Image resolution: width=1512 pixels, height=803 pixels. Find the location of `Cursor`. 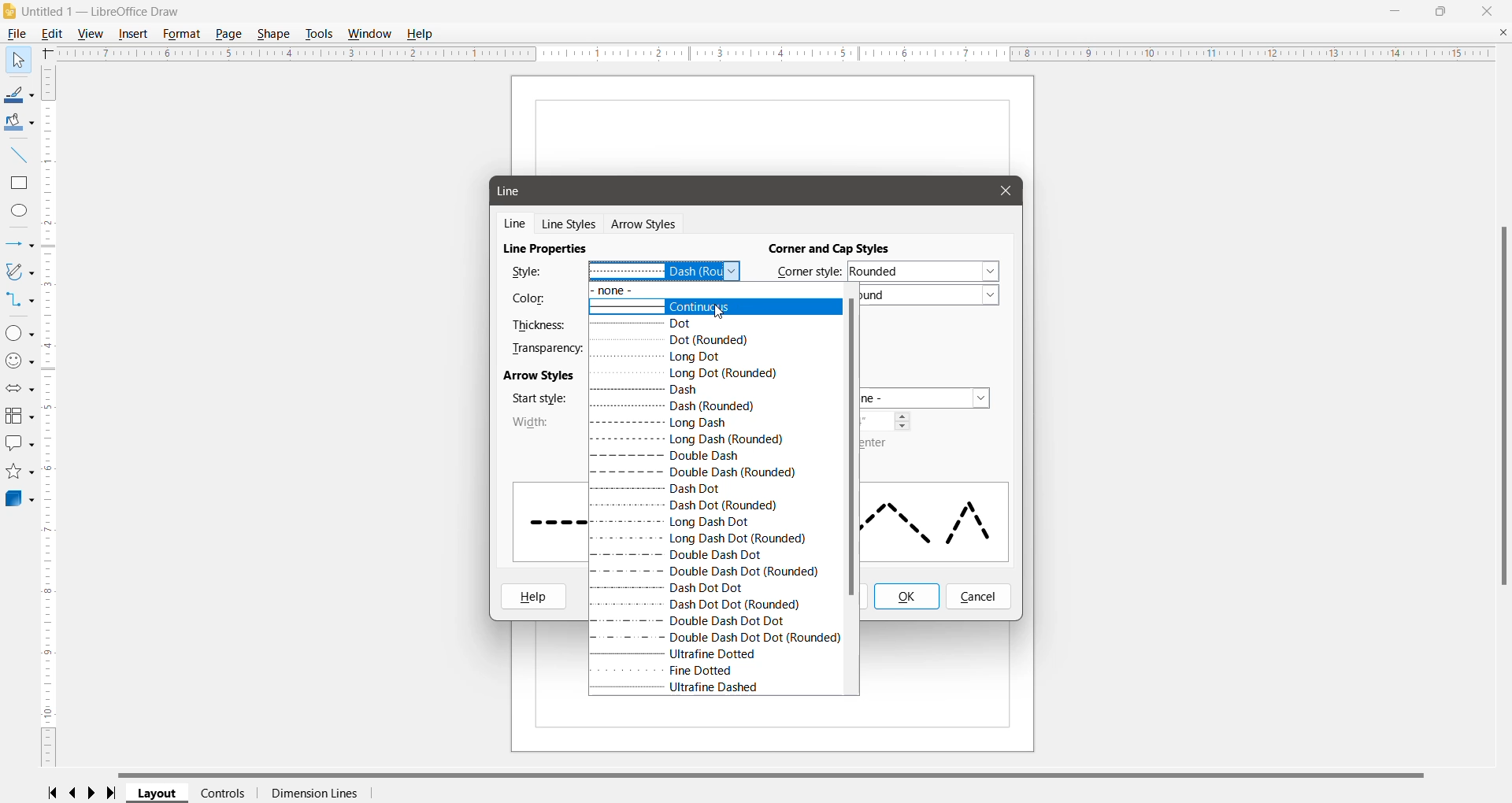

Cursor is located at coordinates (1003, 191).